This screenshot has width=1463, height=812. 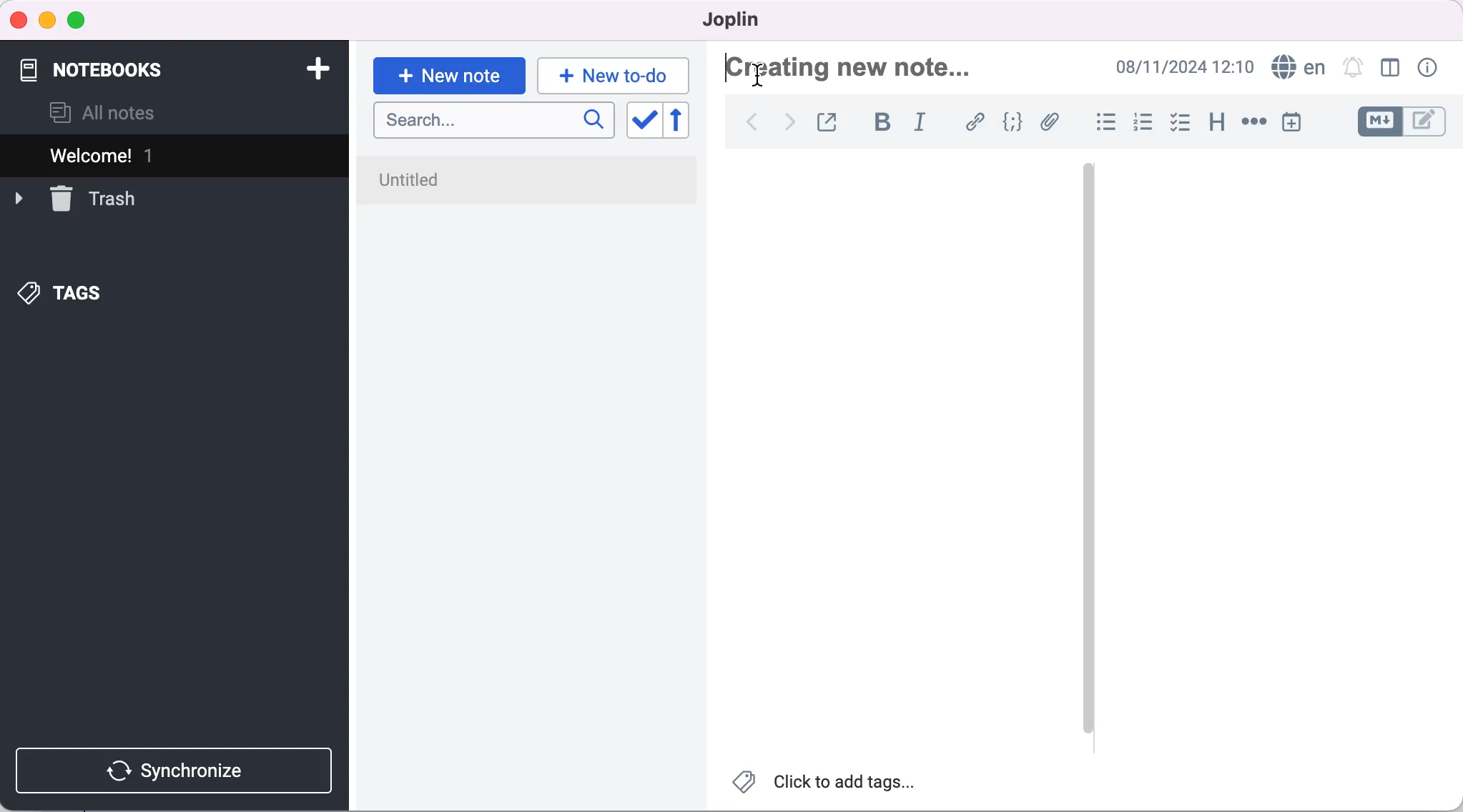 I want to click on insert time, so click(x=1300, y=122).